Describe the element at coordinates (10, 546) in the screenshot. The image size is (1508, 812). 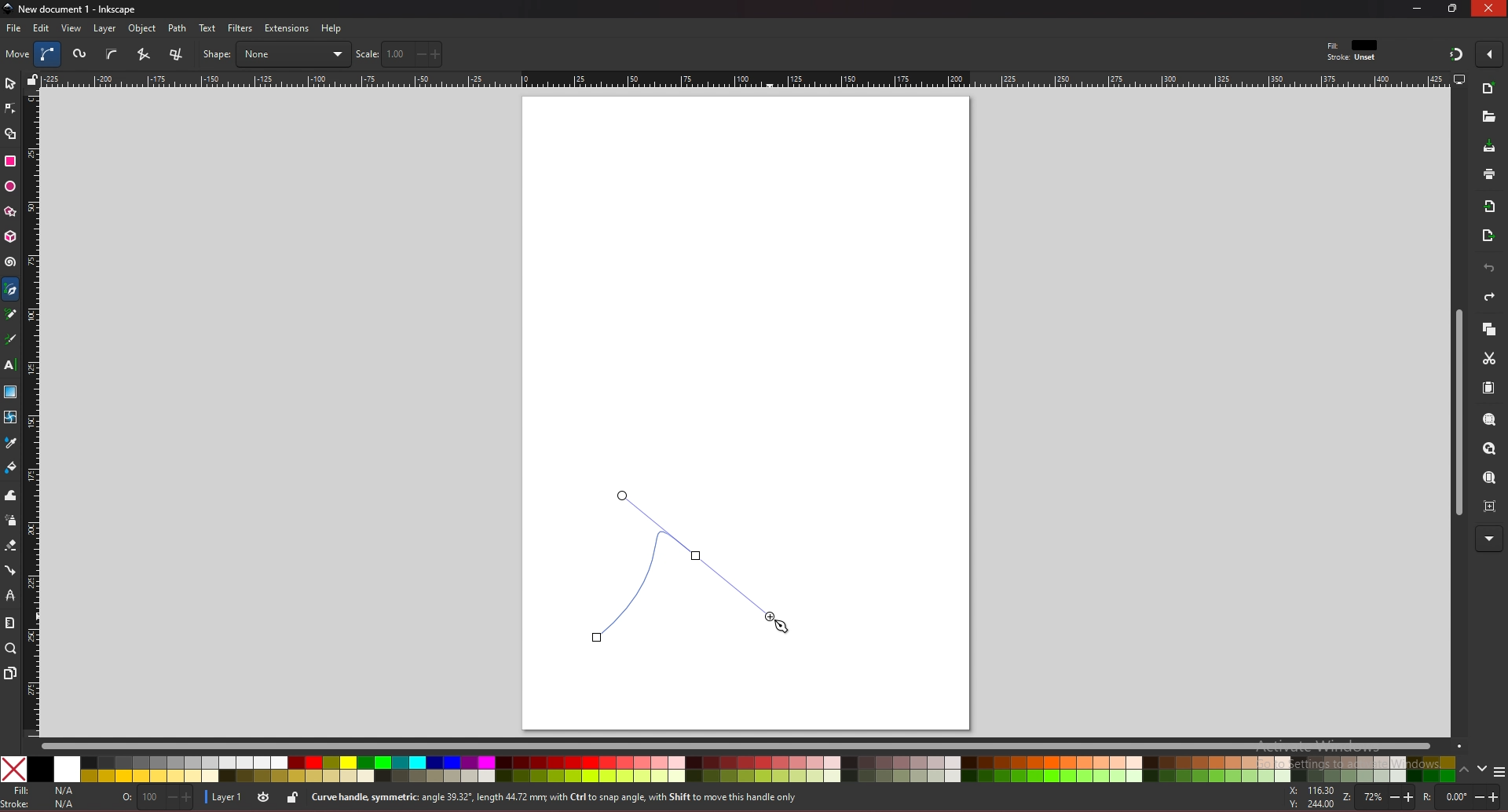
I see `eraser` at that location.